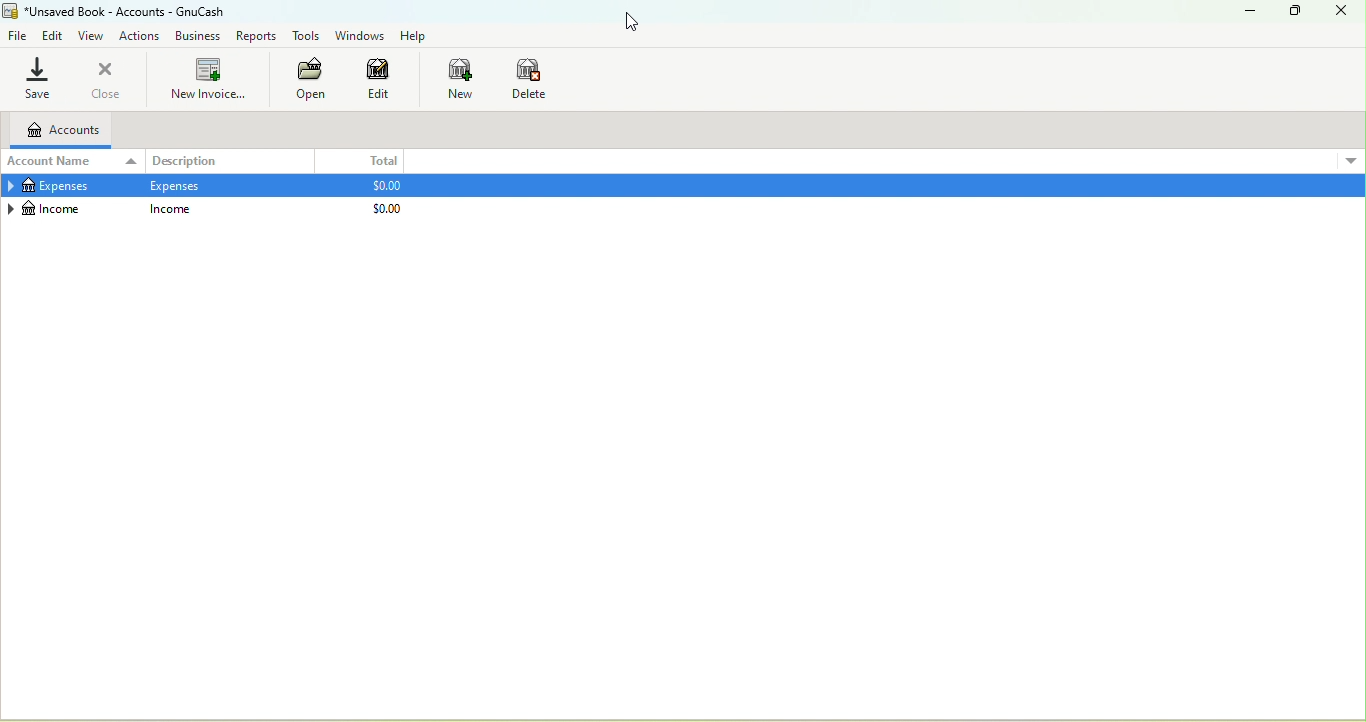 This screenshot has height=722, width=1366. What do you see at coordinates (200, 37) in the screenshot?
I see `Business` at bounding box center [200, 37].